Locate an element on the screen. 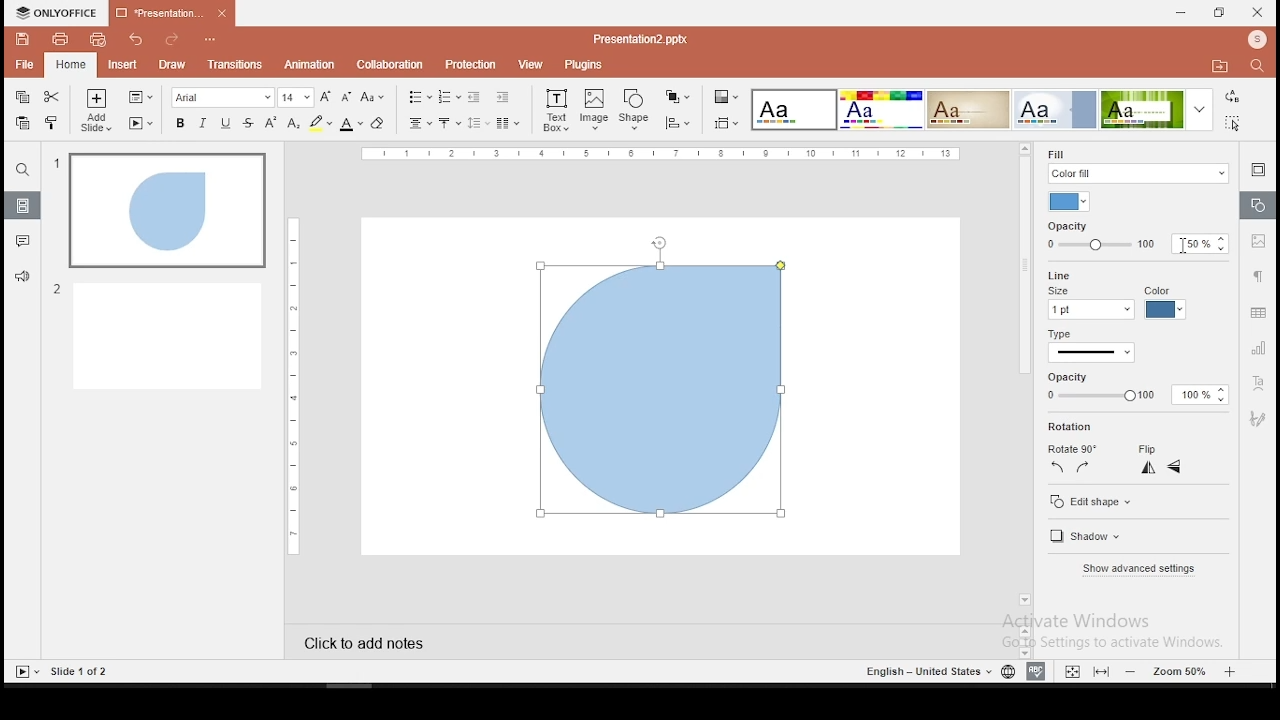 This screenshot has height=720, width=1280. line type selection is located at coordinates (1092, 354).